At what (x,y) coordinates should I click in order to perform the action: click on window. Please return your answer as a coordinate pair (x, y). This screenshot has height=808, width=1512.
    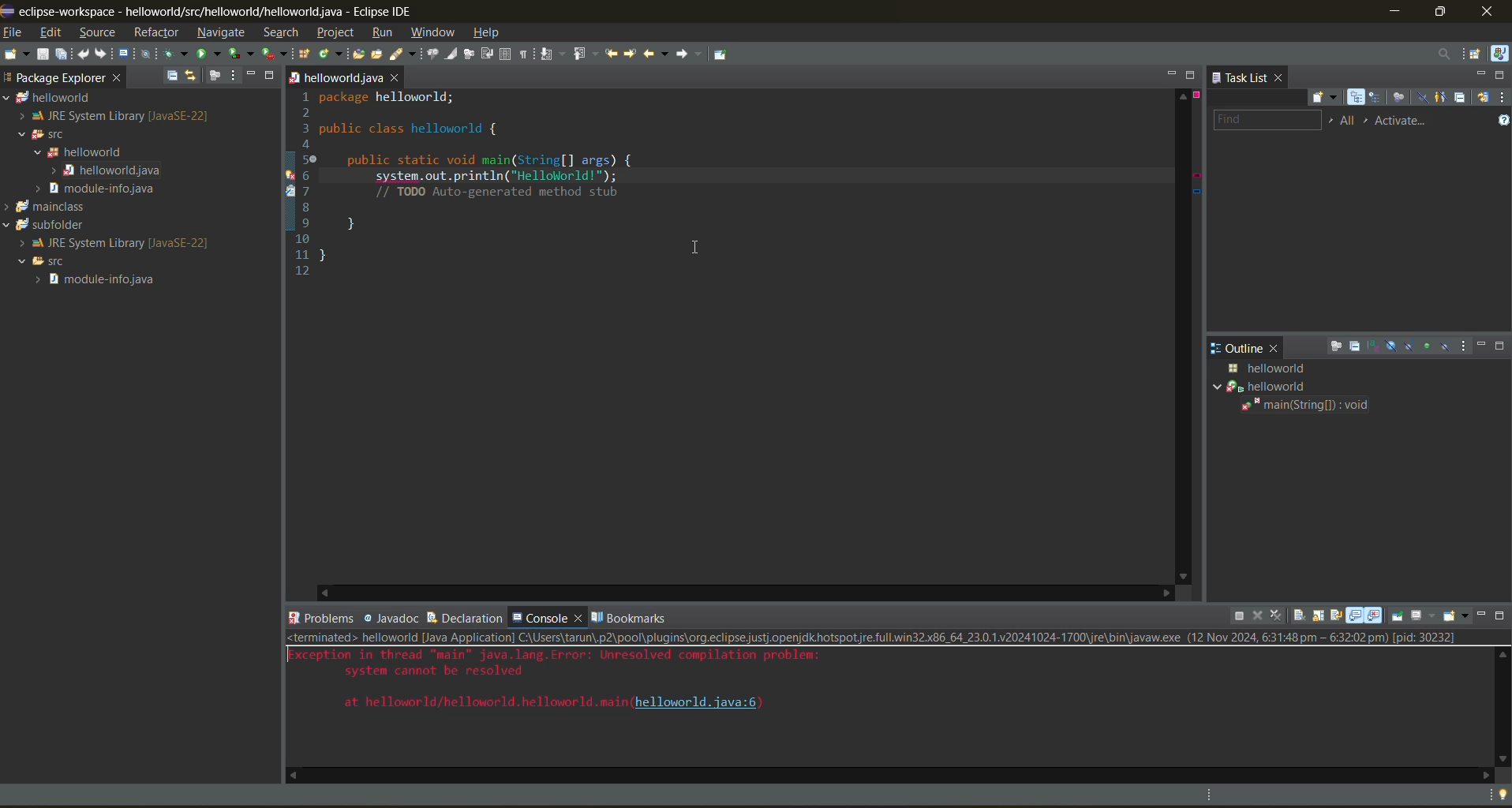
    Looking at the image, I should click on (430, 32).